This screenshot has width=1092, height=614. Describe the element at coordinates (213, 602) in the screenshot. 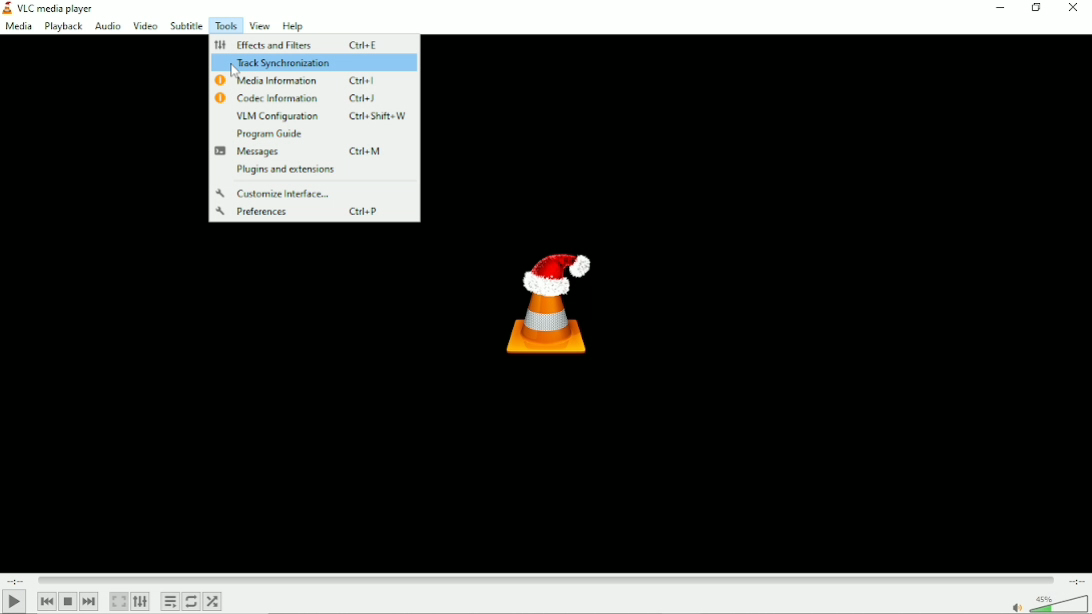

I see `Random` at that location.